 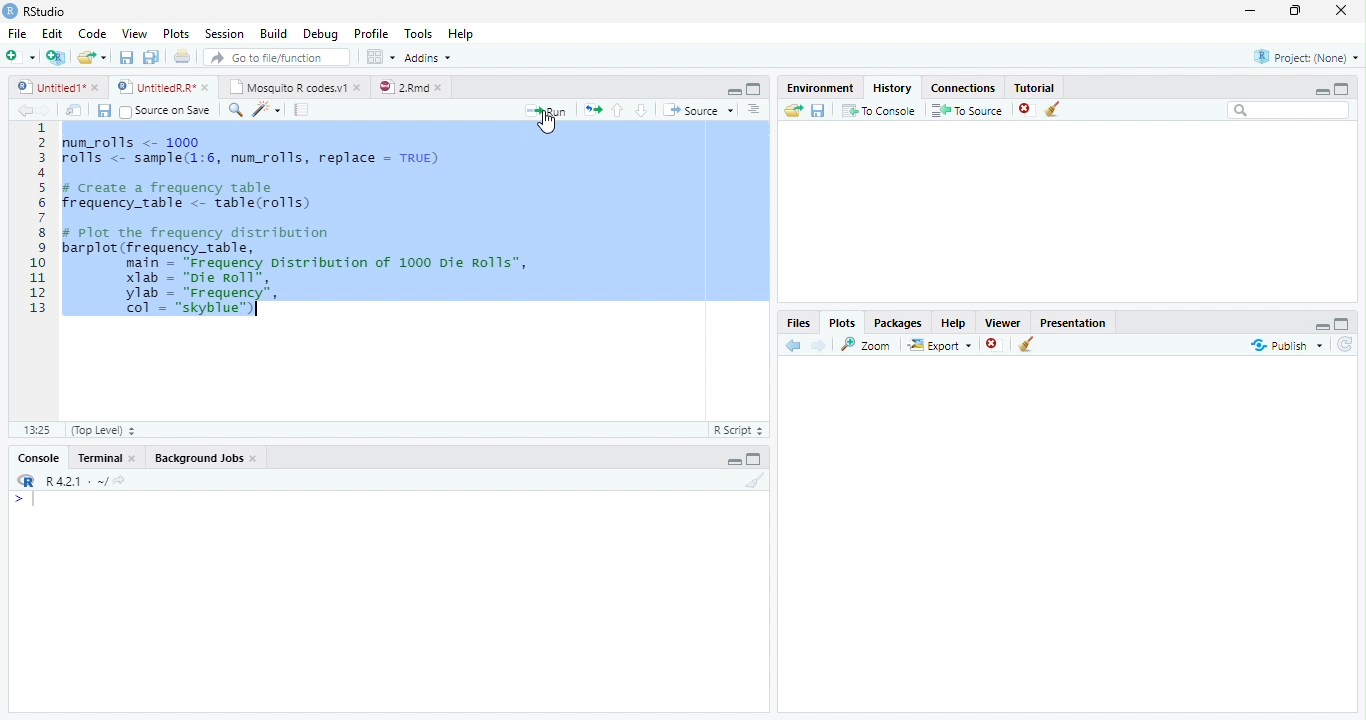 What do you see at coordinates (57, 87) in the screenshot?
I see `Ungitied1*` at bounding box center [57, 87].